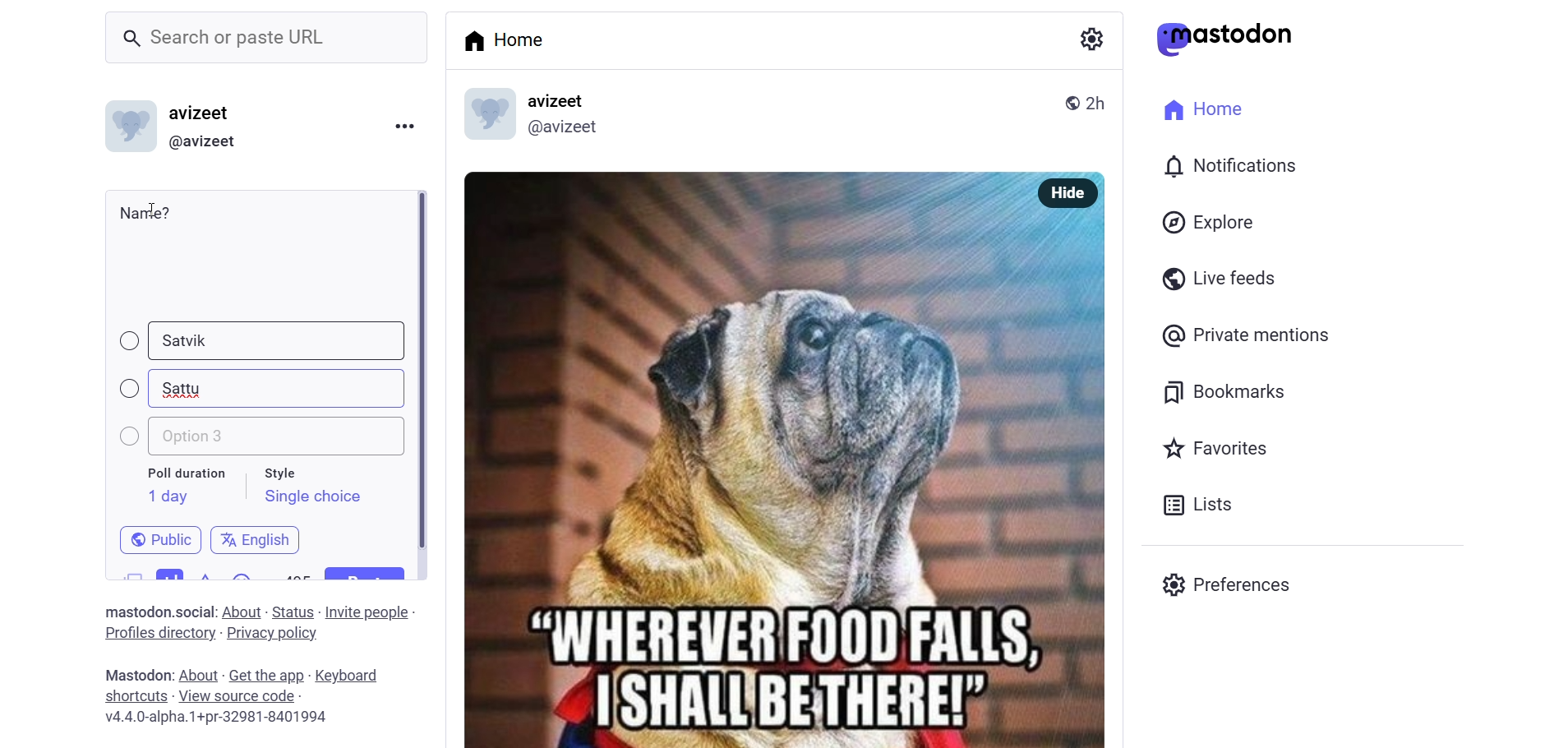 This screenshot has height=748, width=1568. Describe the element at coordinates (267, 674) in the screenshot. I see `get the app` at that location.